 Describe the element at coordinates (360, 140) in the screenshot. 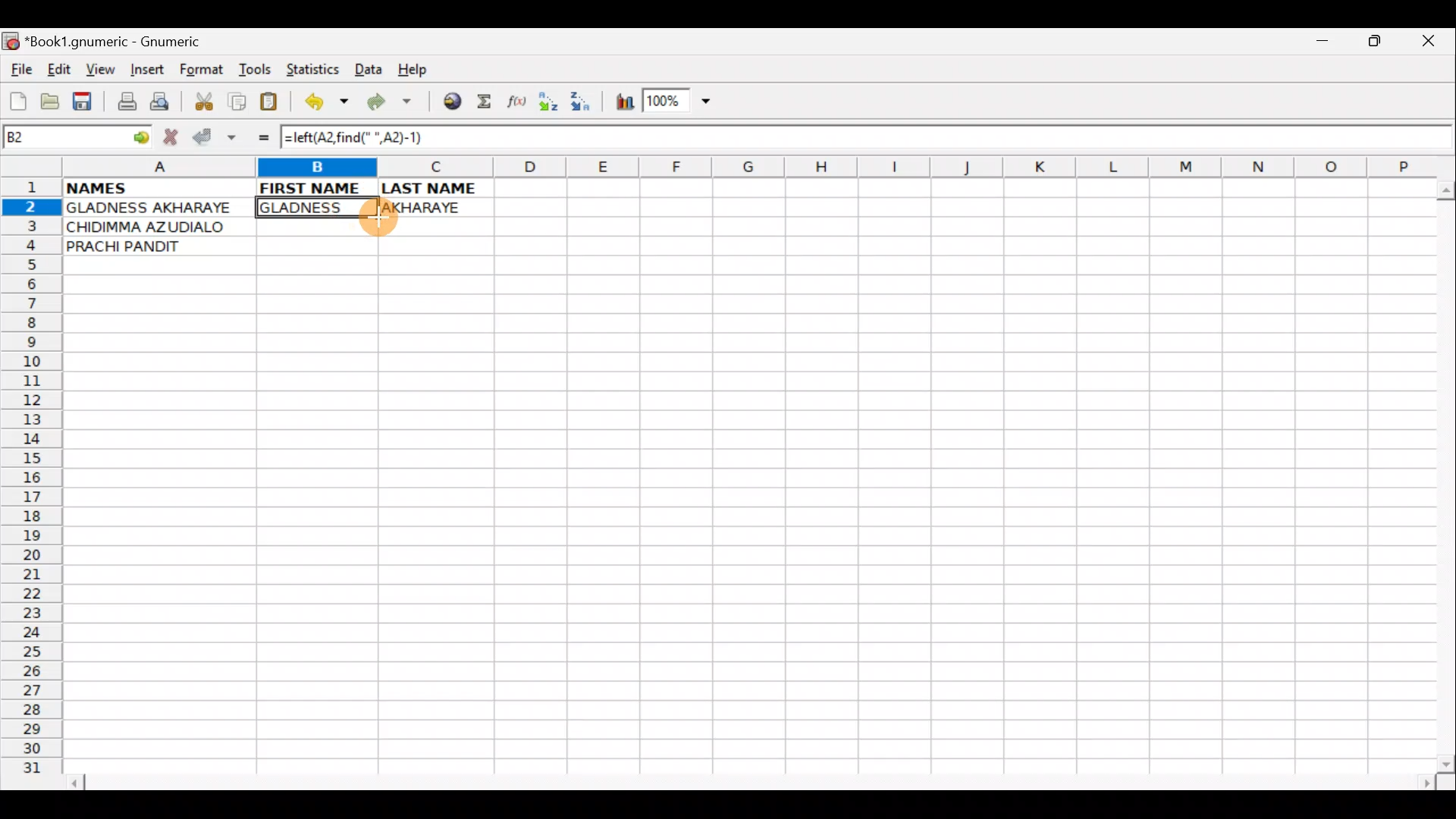

I see `=left(A2, find(" ",A2)-1)` at that location.